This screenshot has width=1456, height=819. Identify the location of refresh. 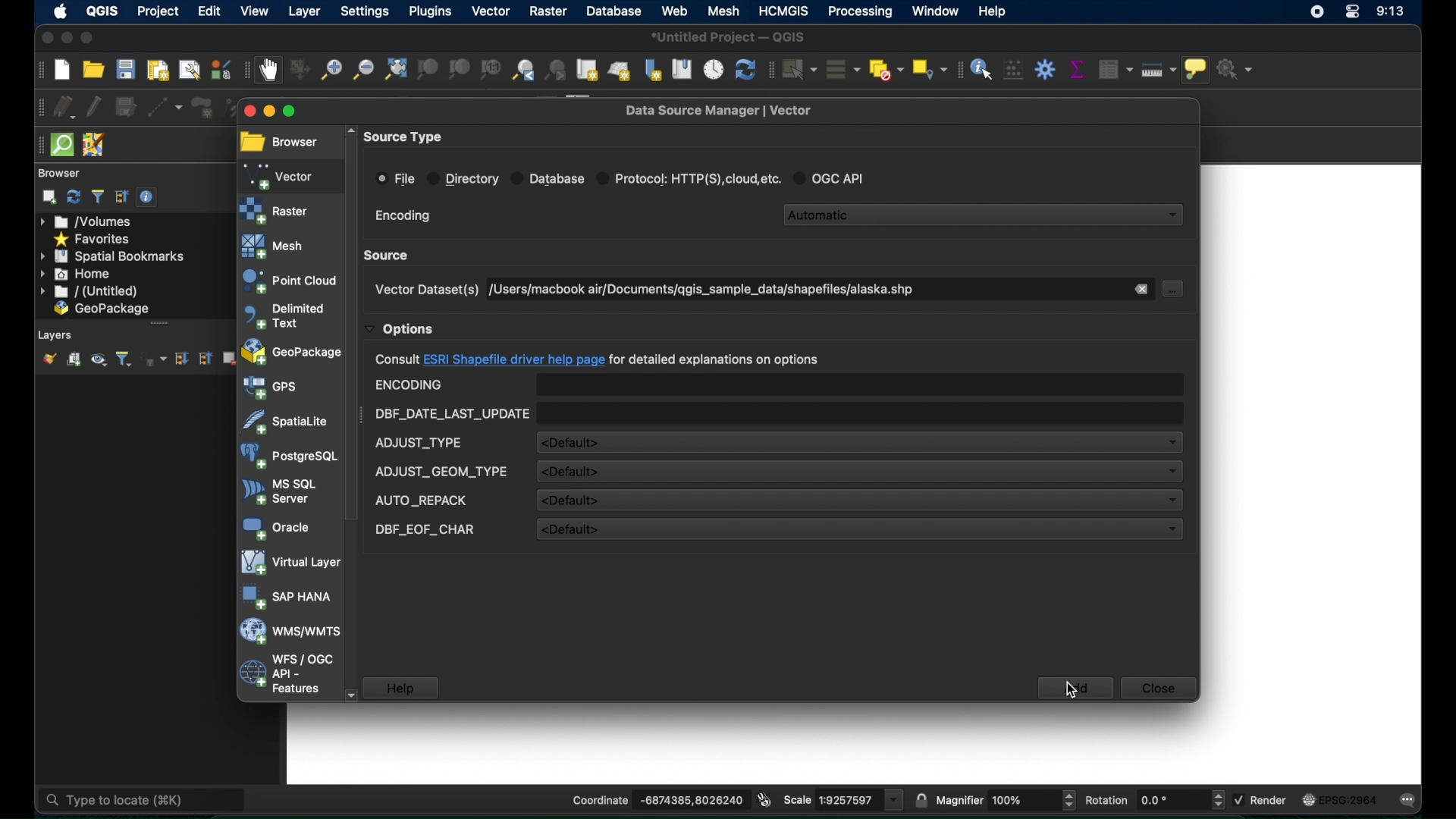
(74, 197).